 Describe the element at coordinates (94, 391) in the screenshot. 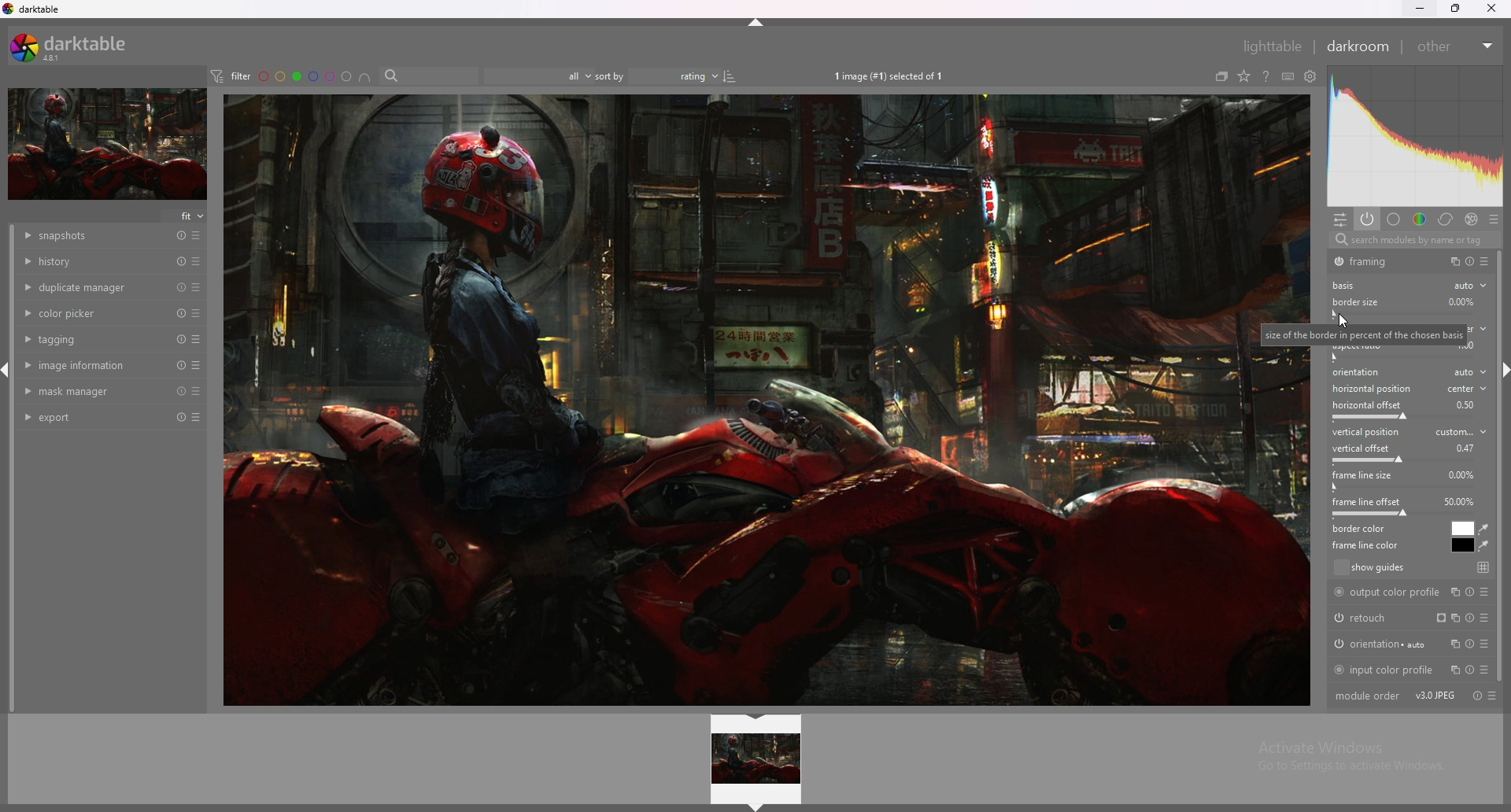

I see `mask manager` at that location.